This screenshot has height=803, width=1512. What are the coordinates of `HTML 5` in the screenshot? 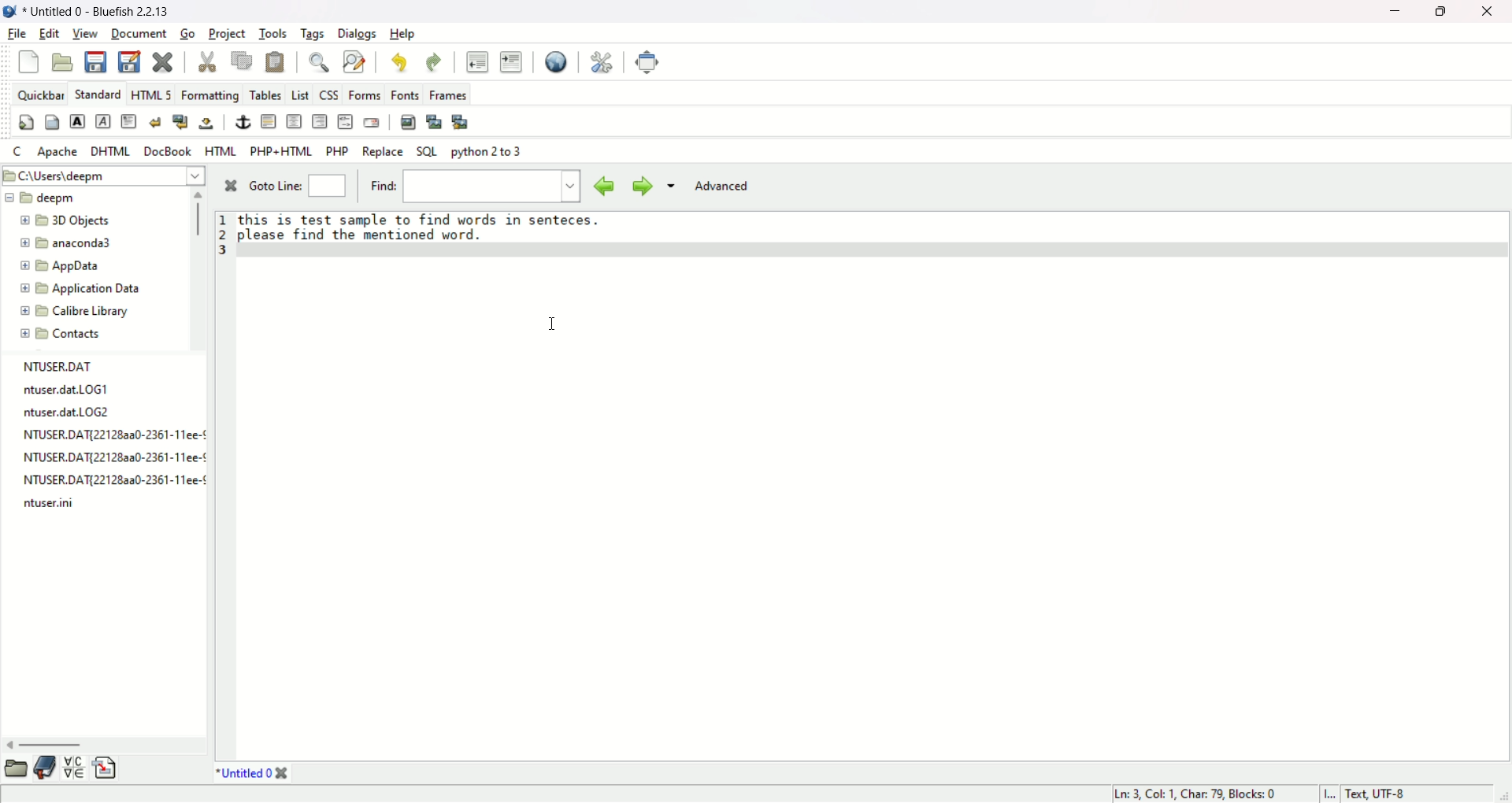 It's located at (152, 93).